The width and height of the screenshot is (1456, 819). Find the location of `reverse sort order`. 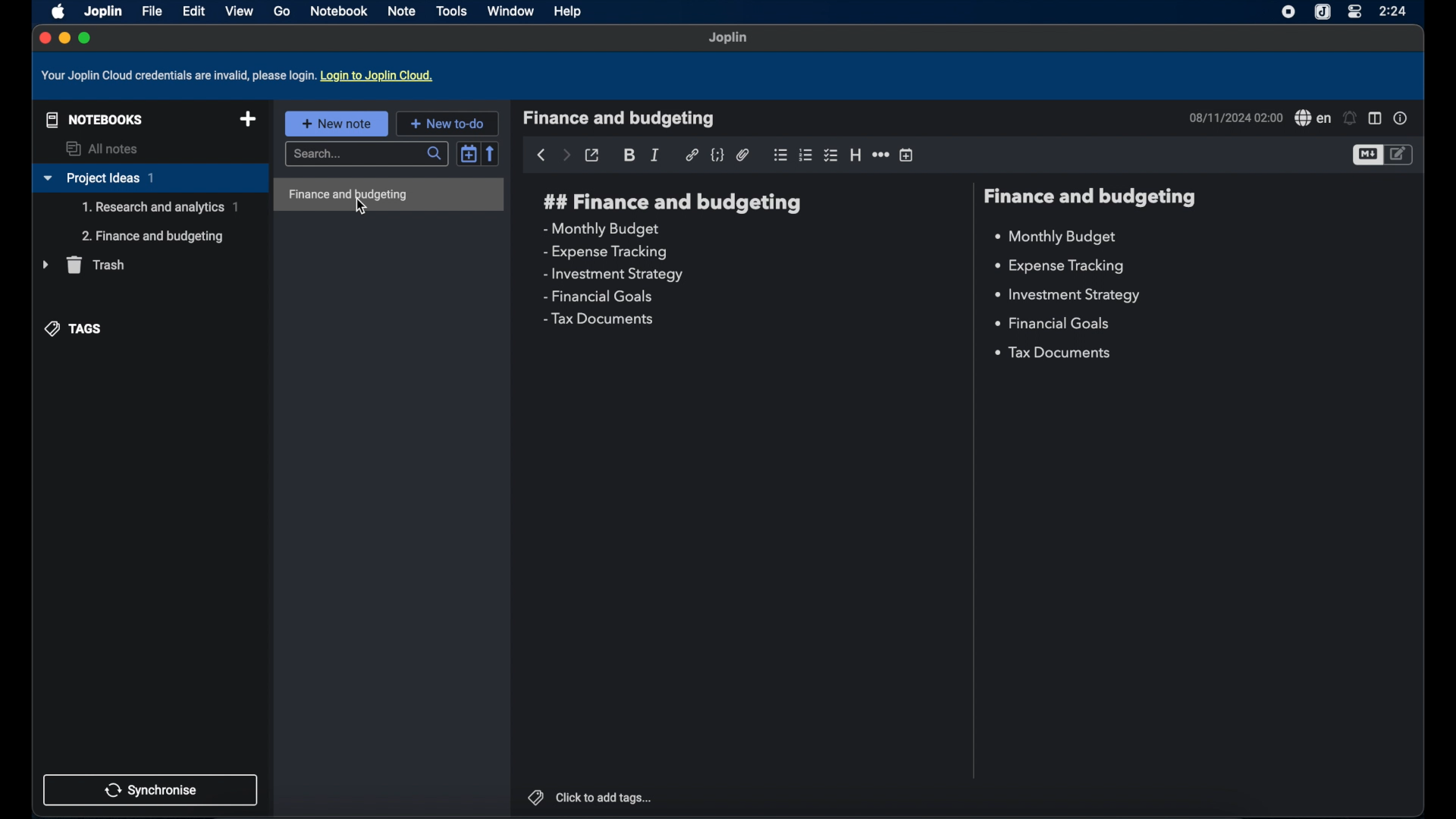

reverse sort order is located at coordinates (492, 153).